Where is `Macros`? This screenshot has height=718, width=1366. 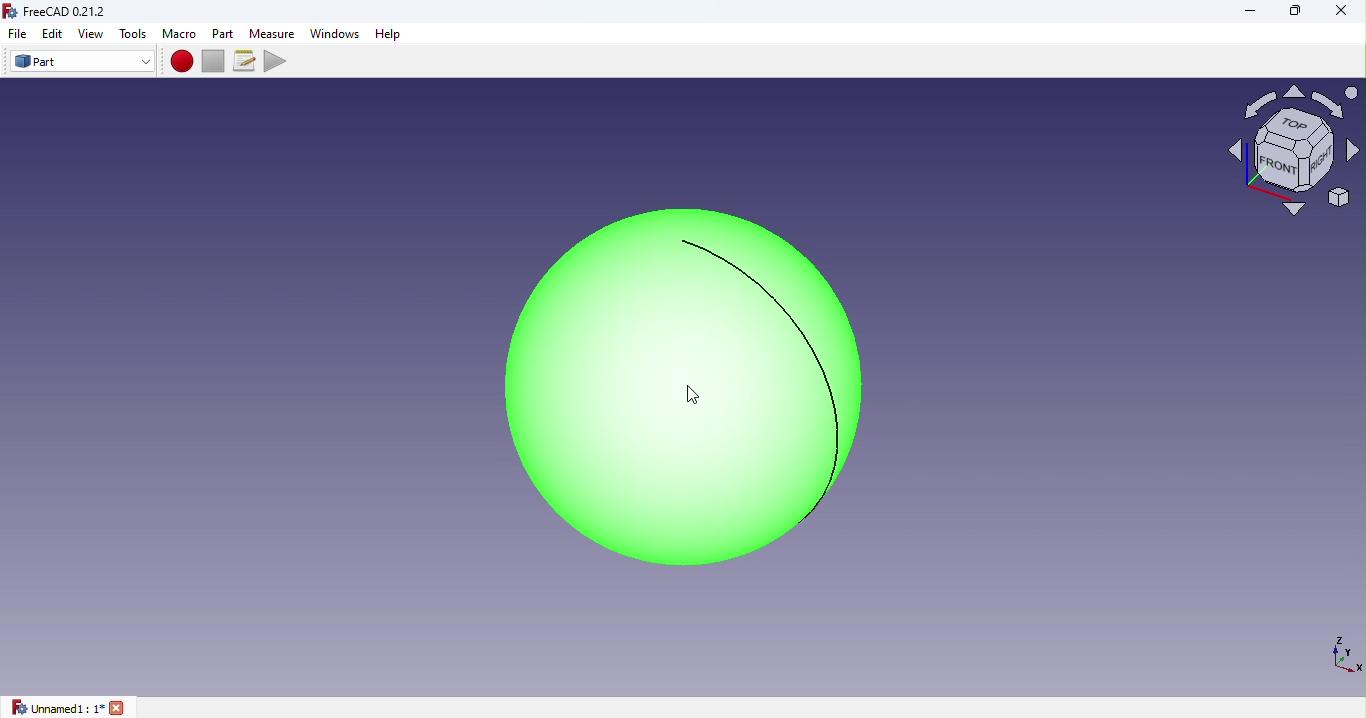
Macros is located at coordinates (247, 61).